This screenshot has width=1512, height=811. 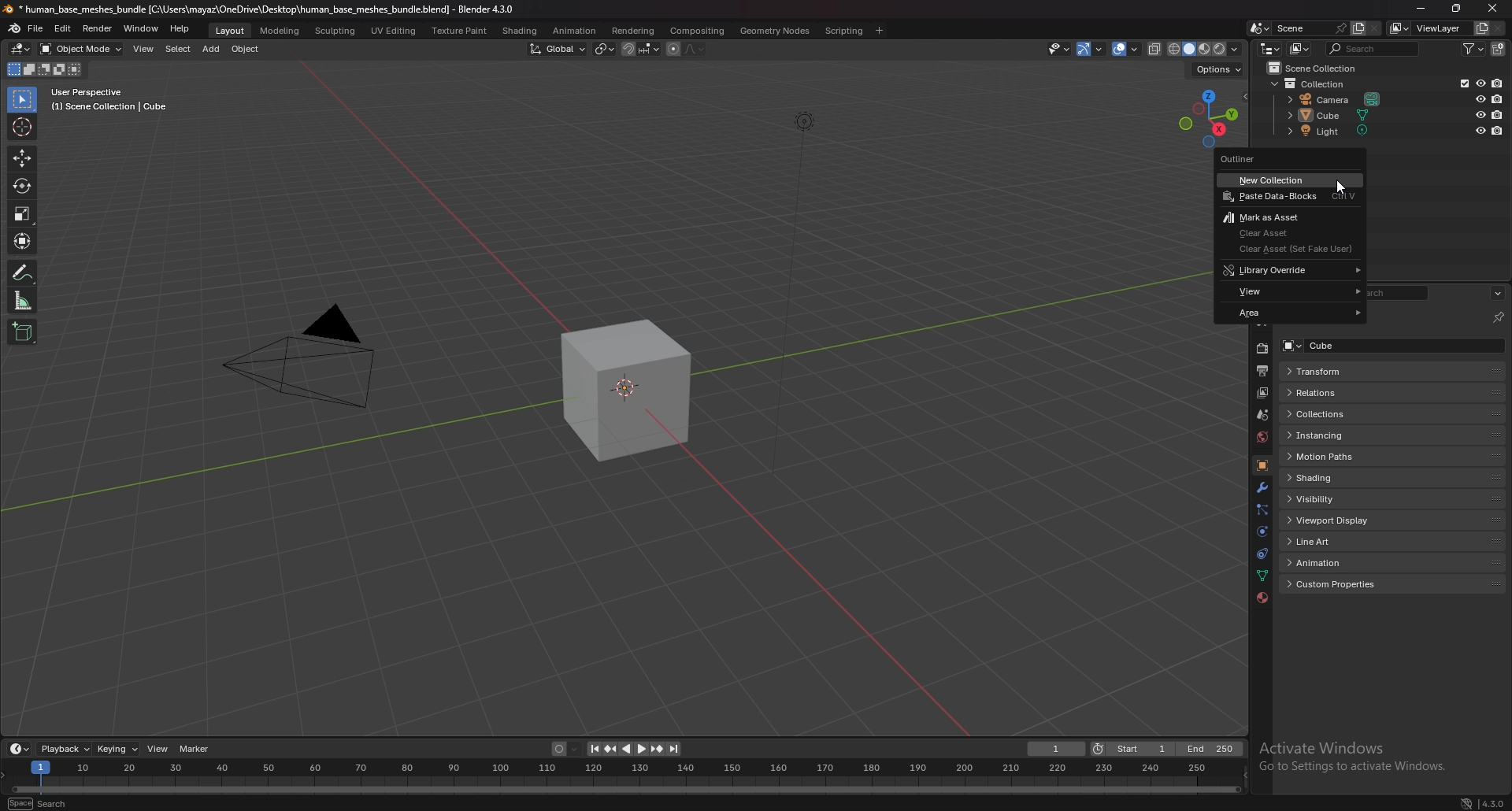 I want to click on selectibility and visibility, so click(x=1060, y=49).